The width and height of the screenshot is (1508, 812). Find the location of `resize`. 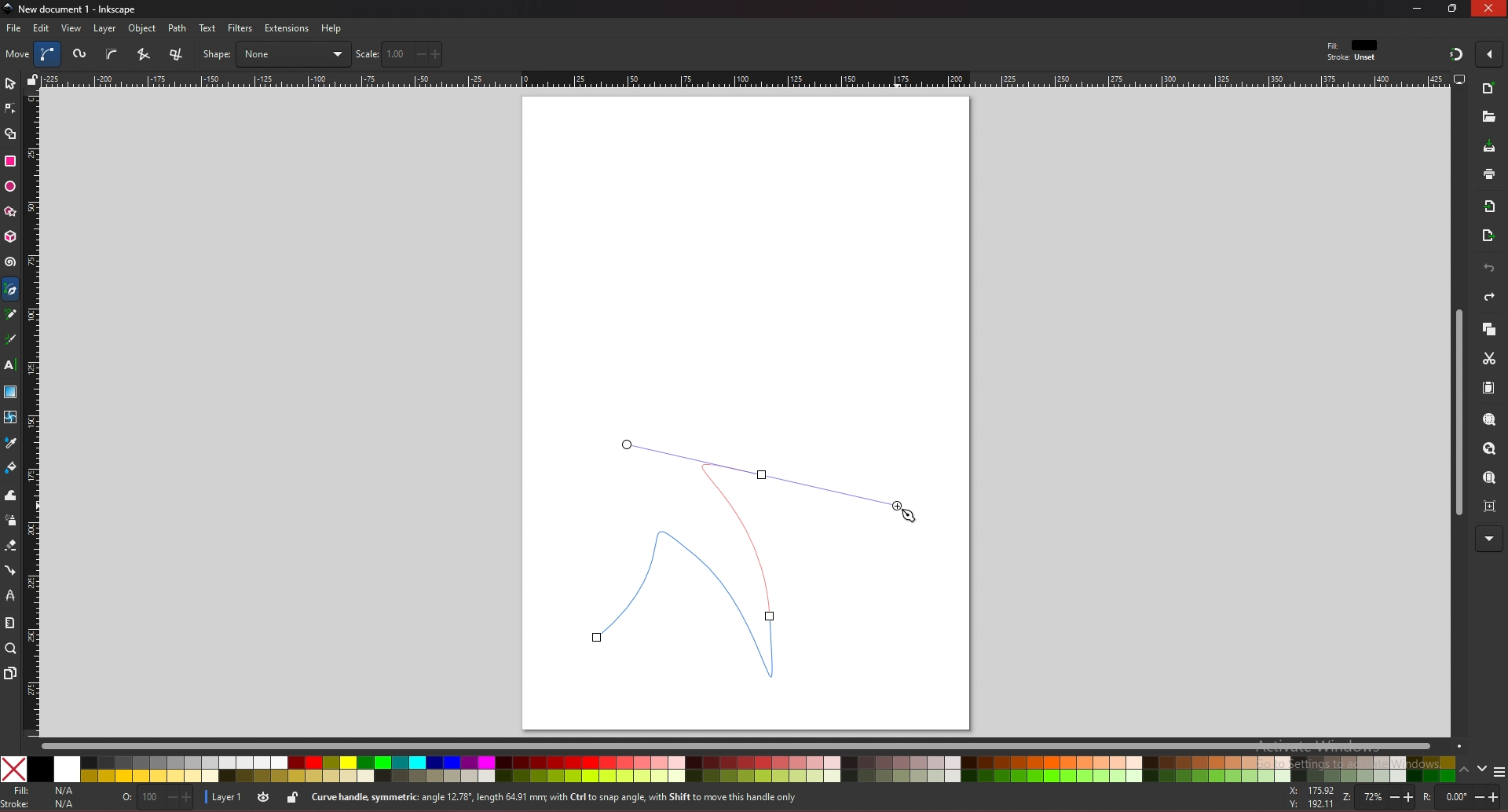

resize is located at coordinates (1455, 8).